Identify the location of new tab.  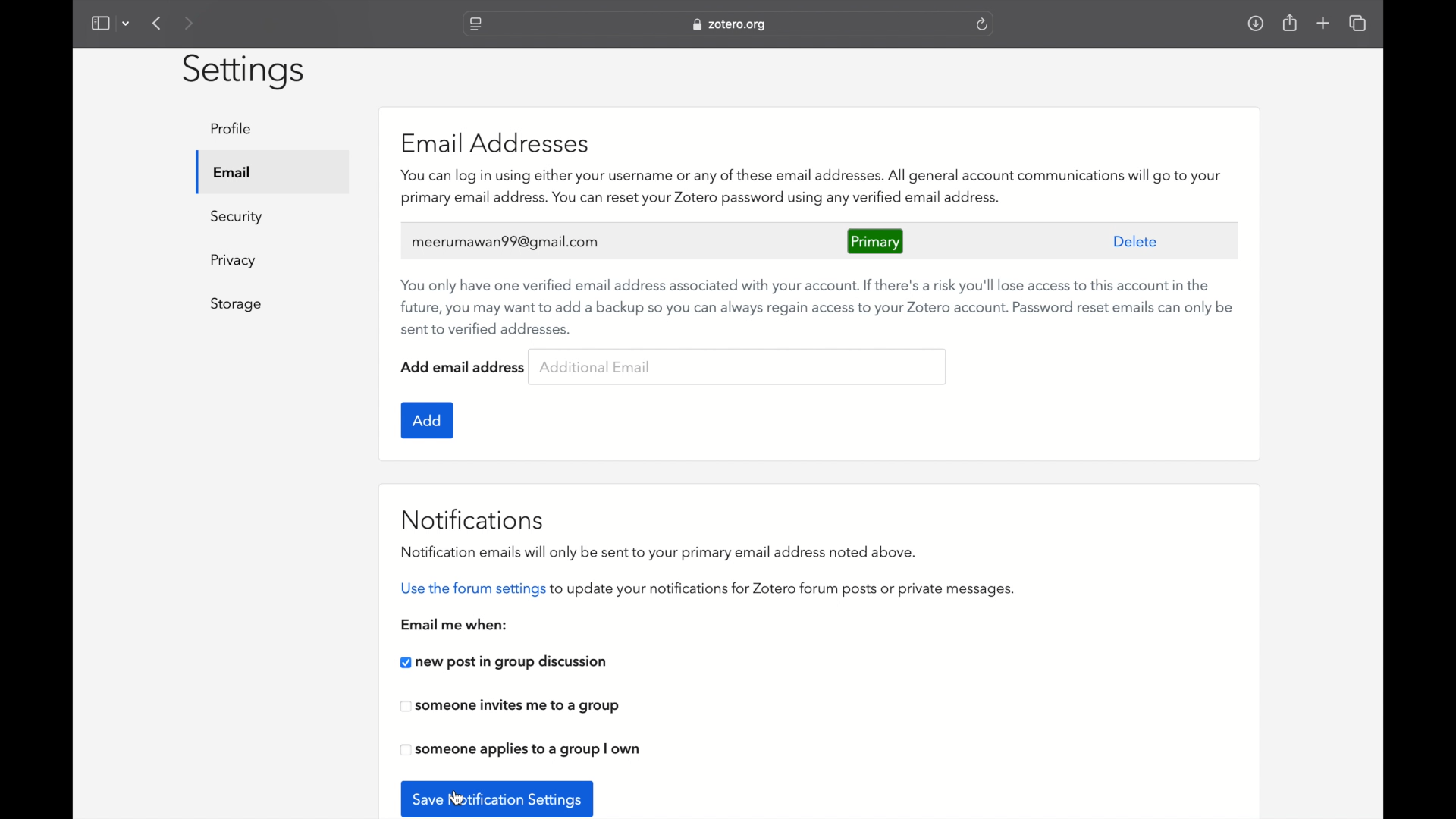
(1323, 23).